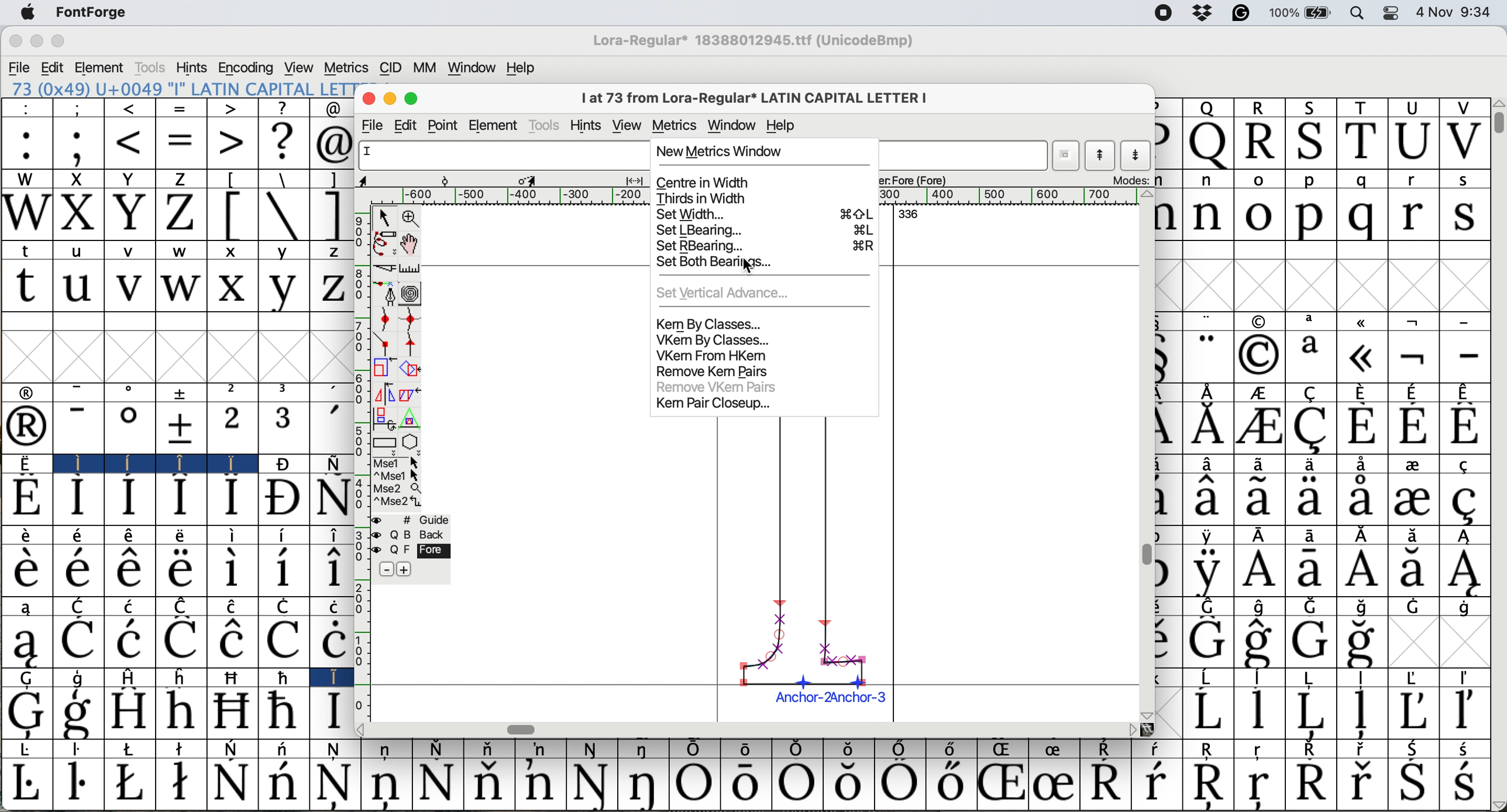  What do you see at coordinates (333, 144) in the screenshot?
I see `@` at bounding box center [333, 144].